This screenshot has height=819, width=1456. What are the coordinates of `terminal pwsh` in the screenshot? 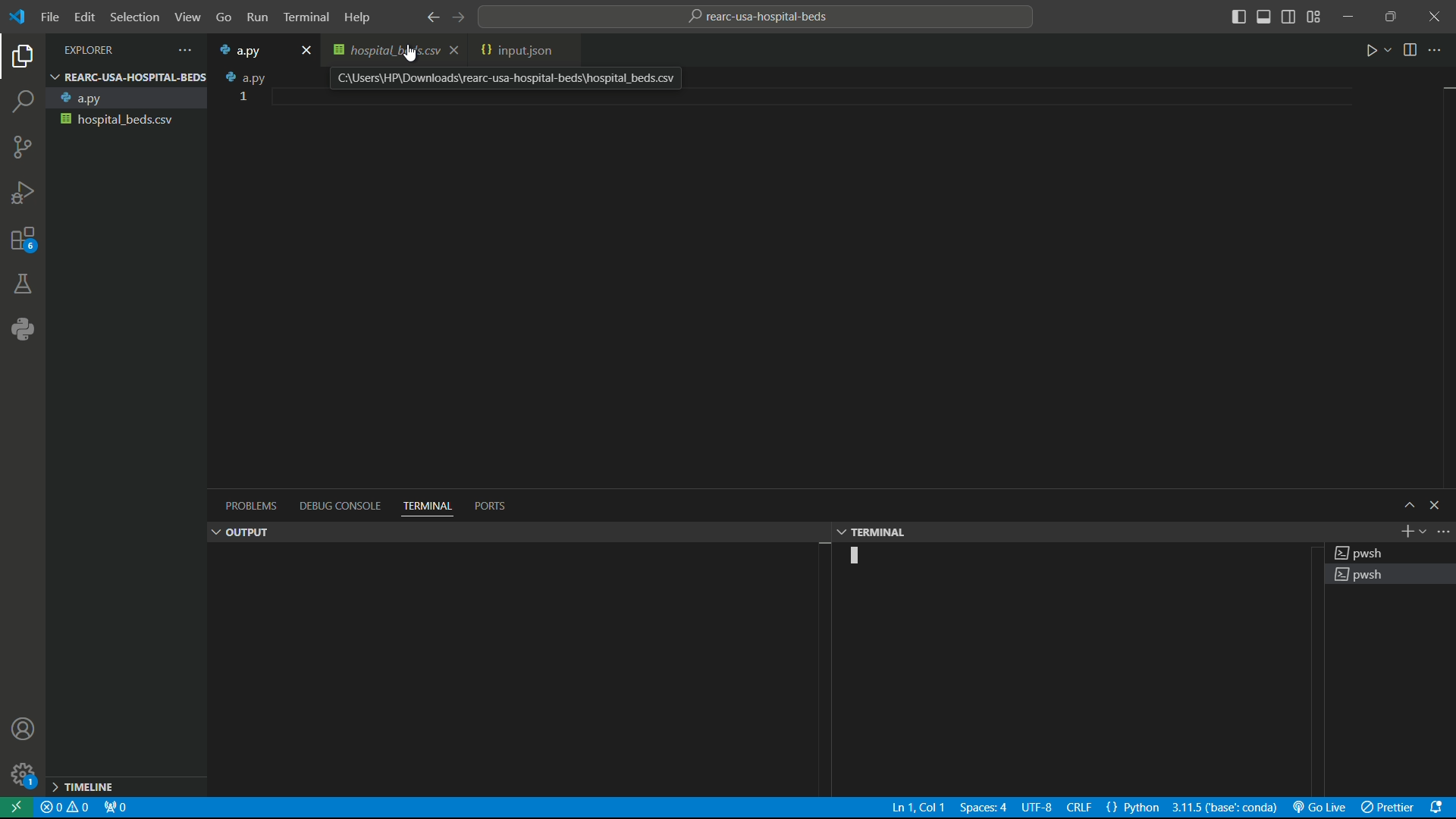 It's located at (1391, 575).